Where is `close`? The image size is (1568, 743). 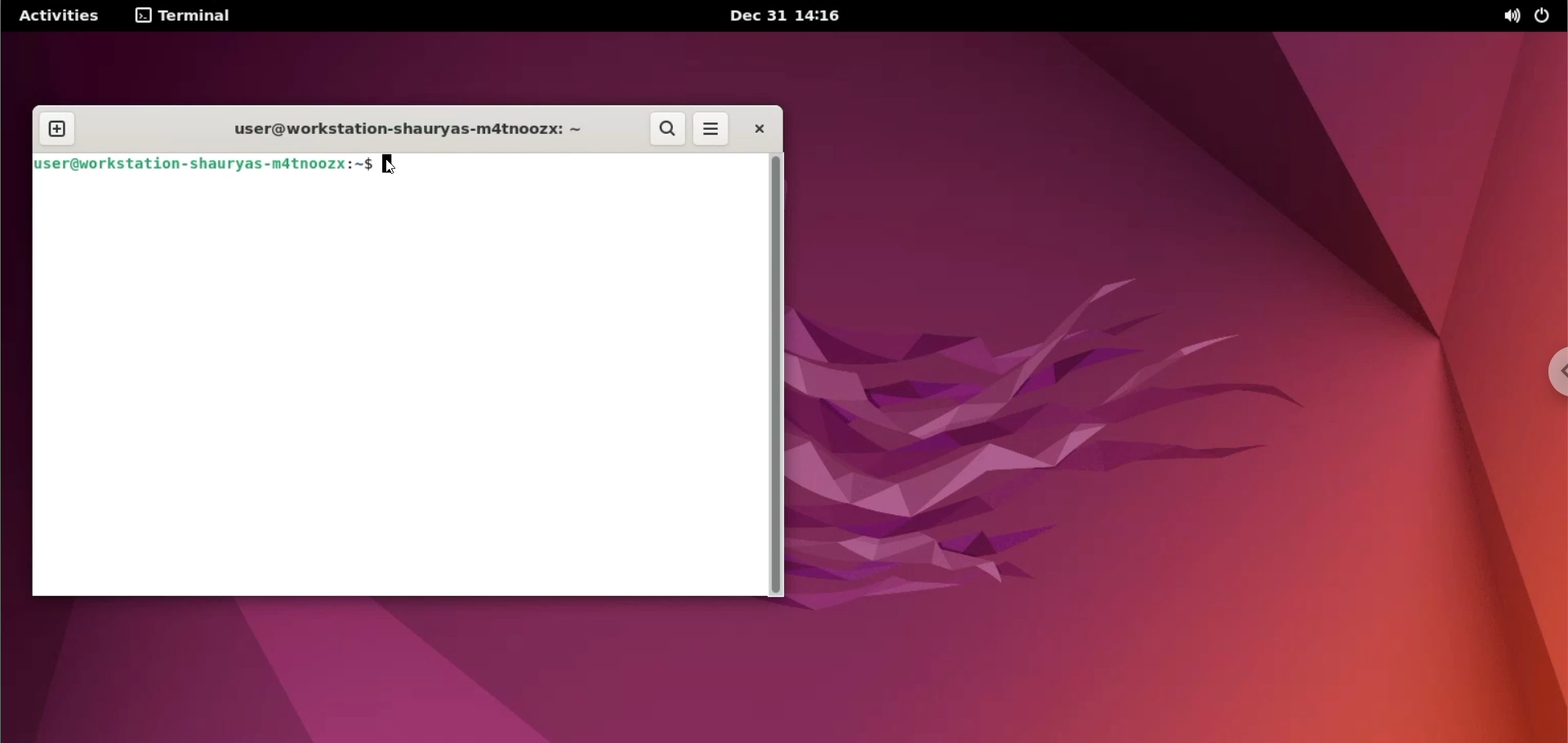
close is located at coordinates (755, 131).